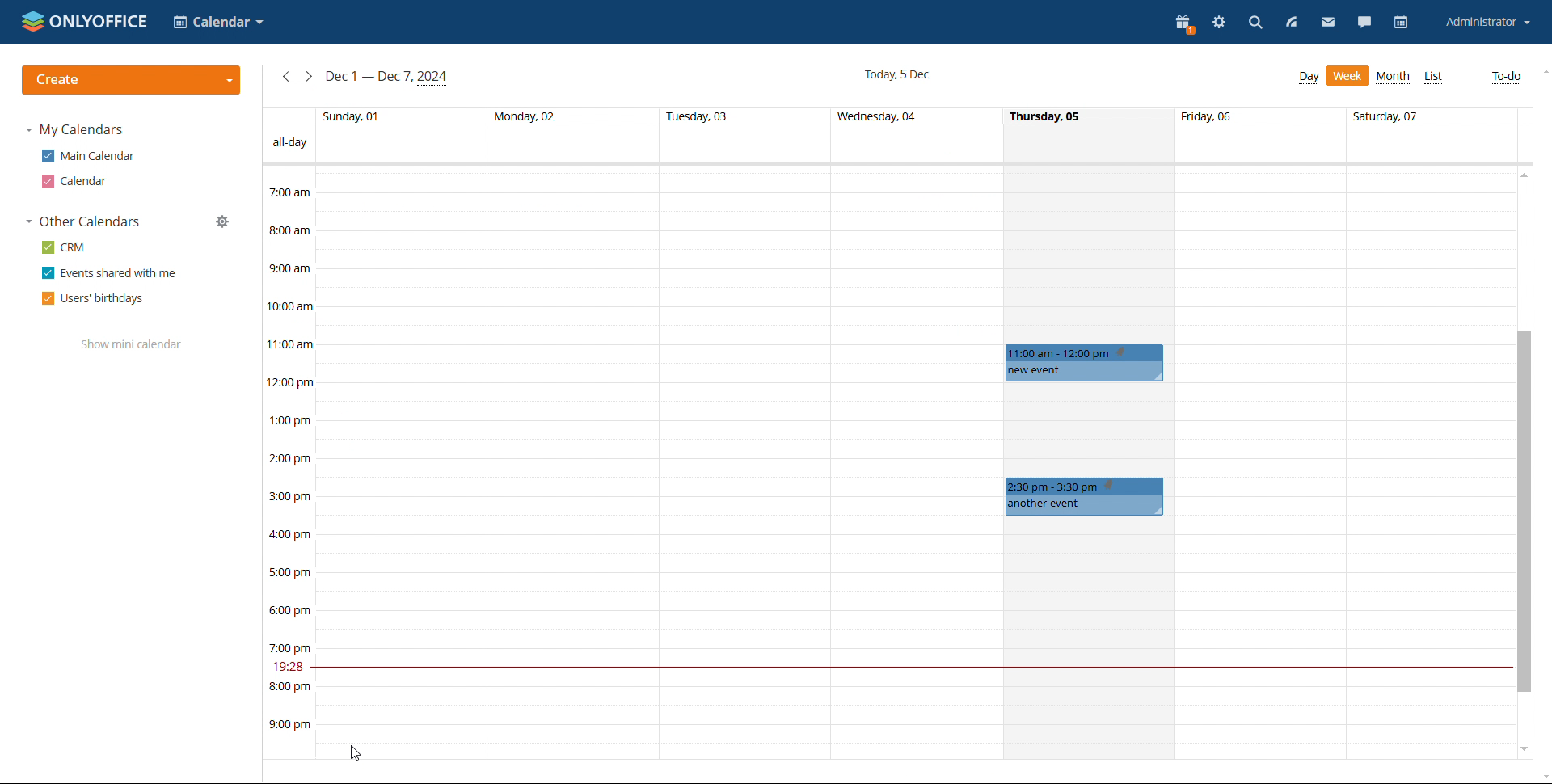 This screenshot has width=1552, height=784. Describe the element at coordinates (286, 306) in the screenshot. I see `10:00 am` at that location.